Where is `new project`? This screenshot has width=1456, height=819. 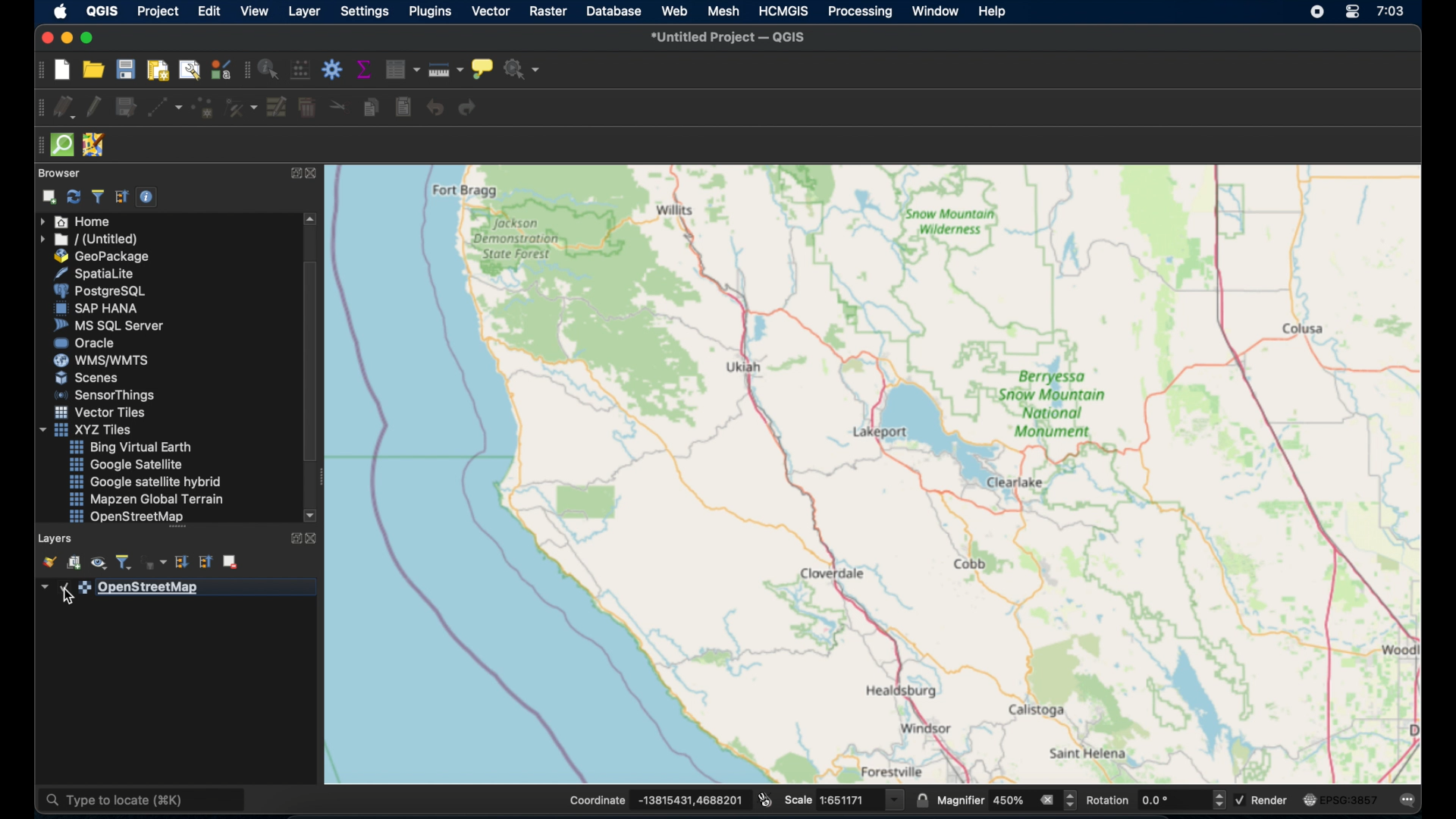
new project is located at coordinates (64, 71).